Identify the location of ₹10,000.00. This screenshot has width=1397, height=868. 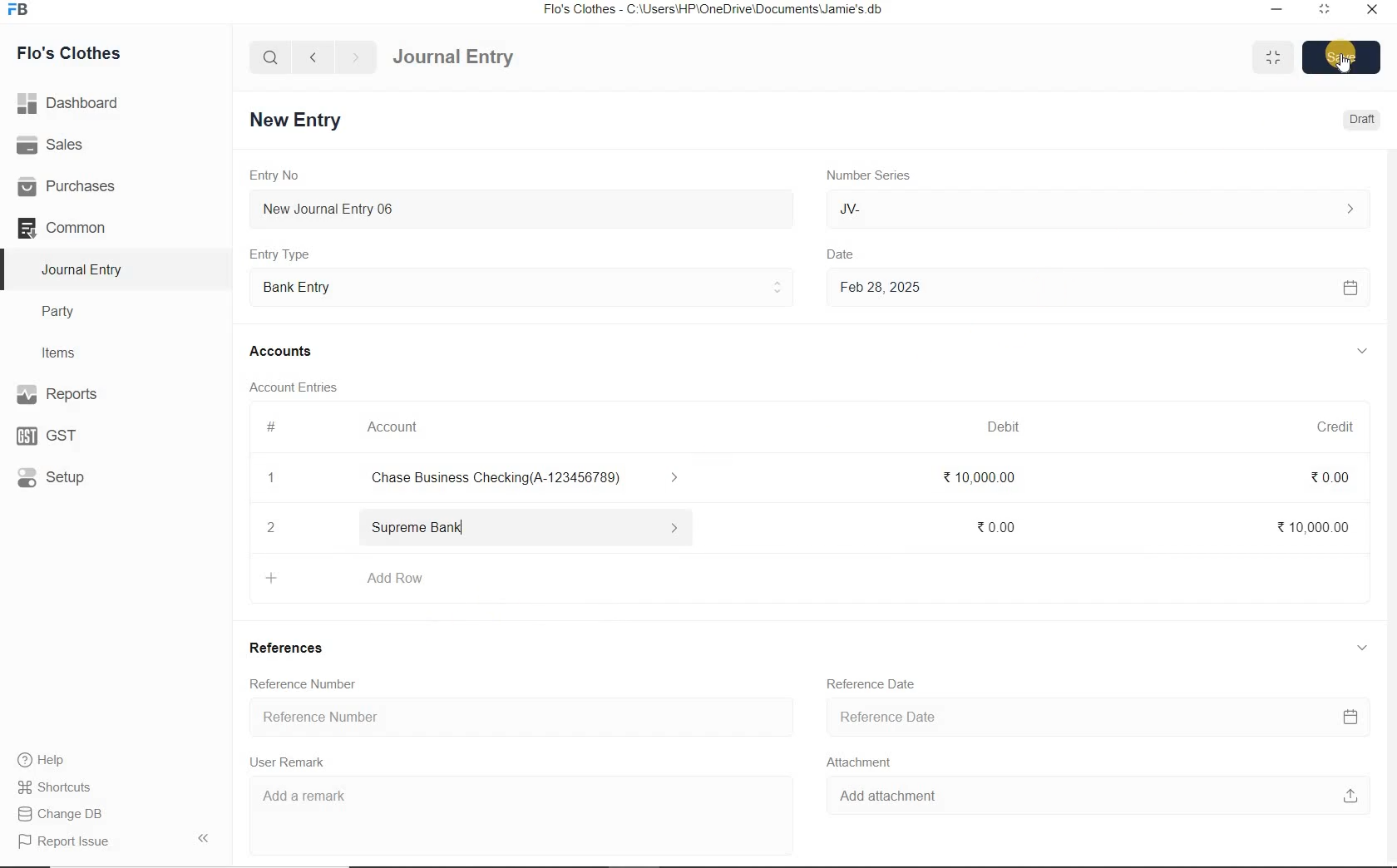
(1308, 525).